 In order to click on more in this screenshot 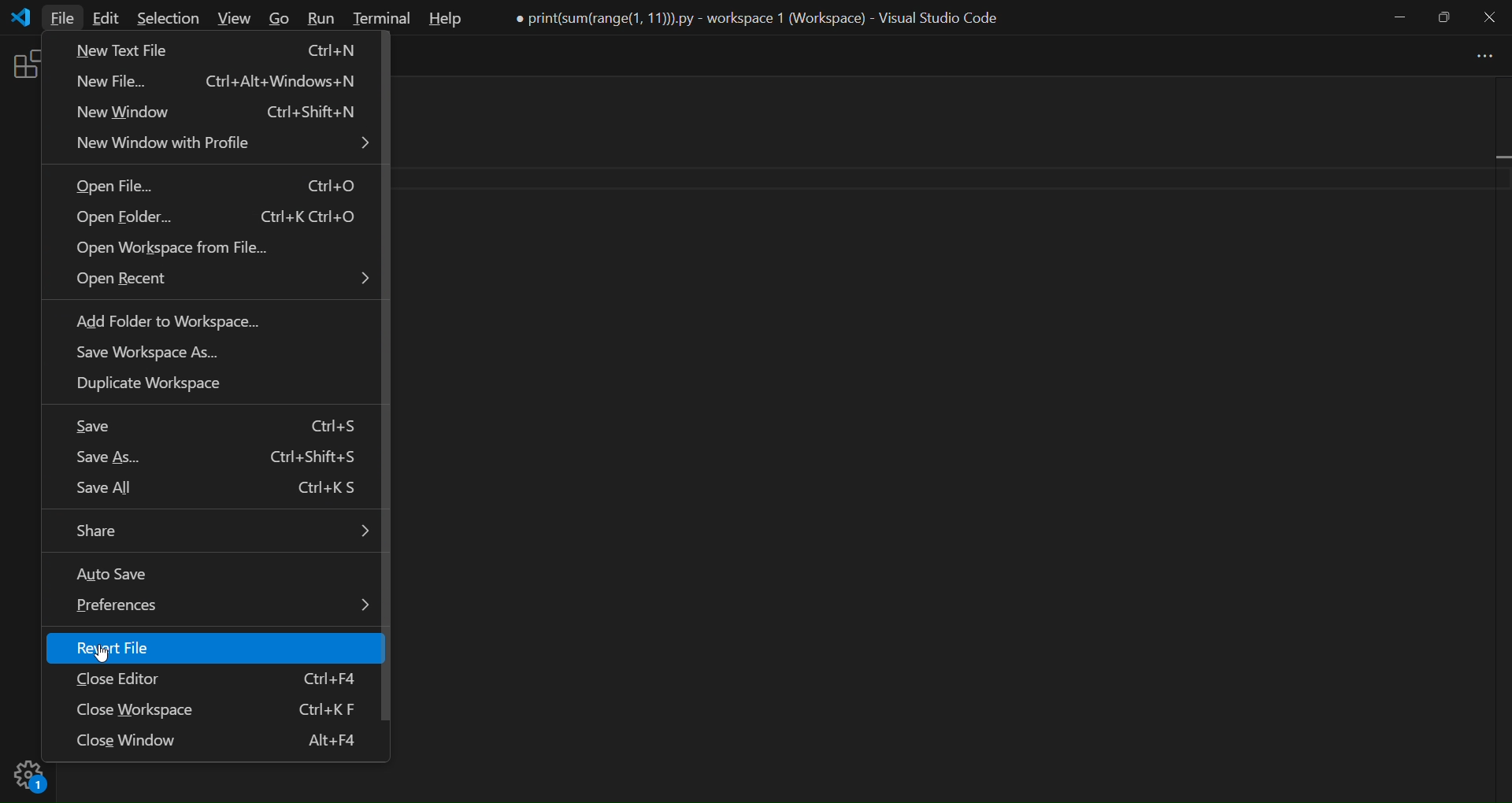, I will do `click(1479, 57)`.